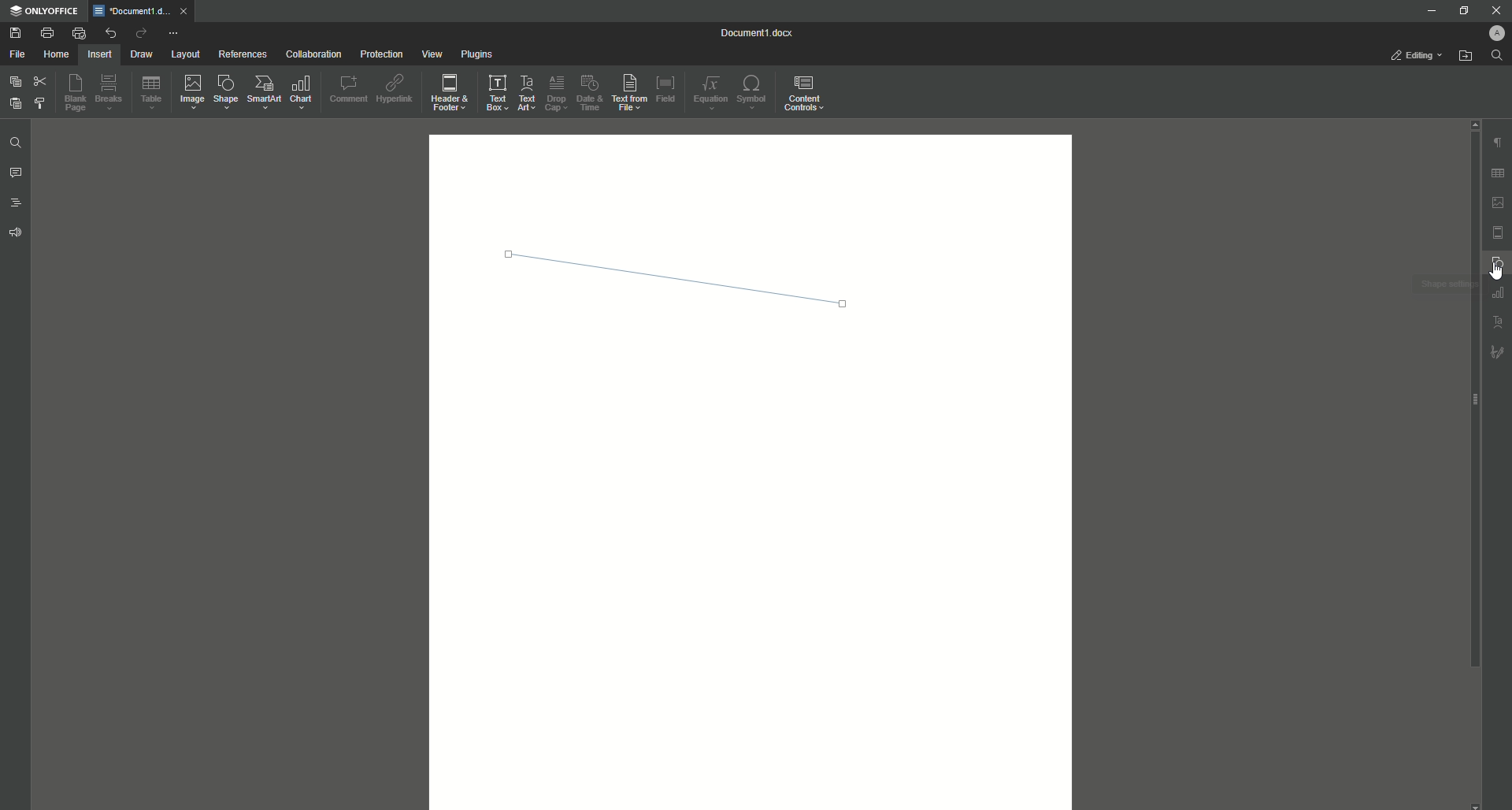 The image size is (1512, 810). Describe the element at coordinates (228, 95) in the screenshot. I see `Shape` at that location.